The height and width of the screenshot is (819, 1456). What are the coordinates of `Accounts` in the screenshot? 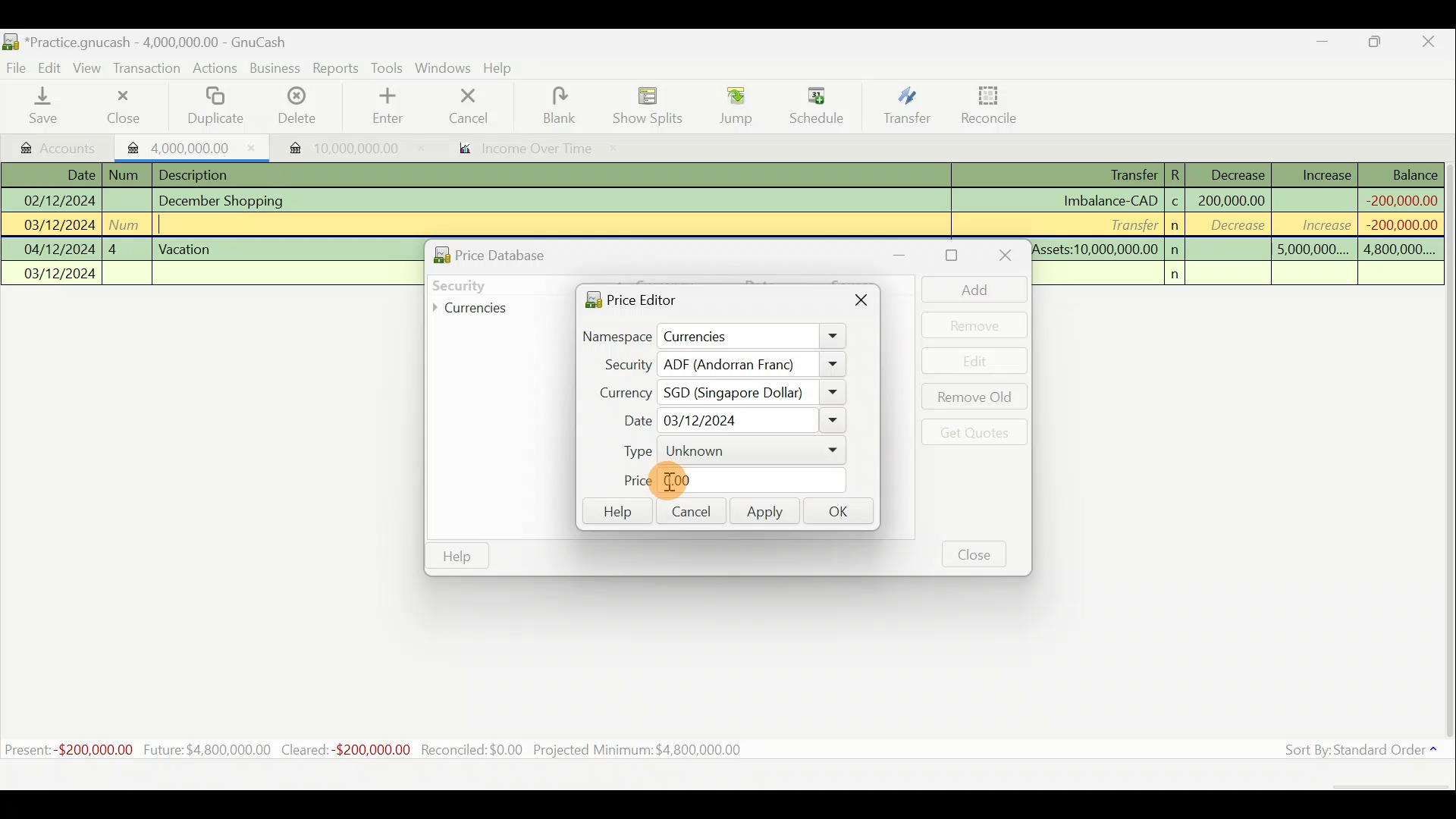 It's located at (53, 145).